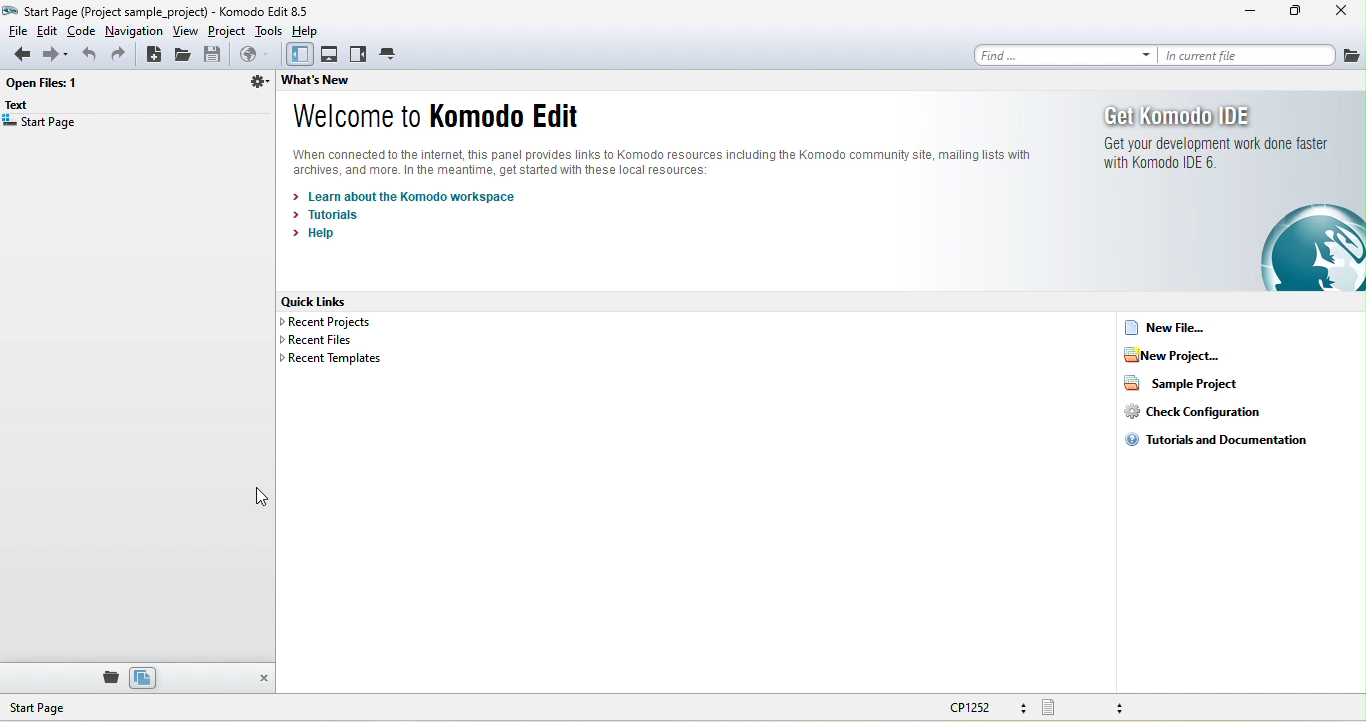  I want to click on file type, so click(1097, 707).